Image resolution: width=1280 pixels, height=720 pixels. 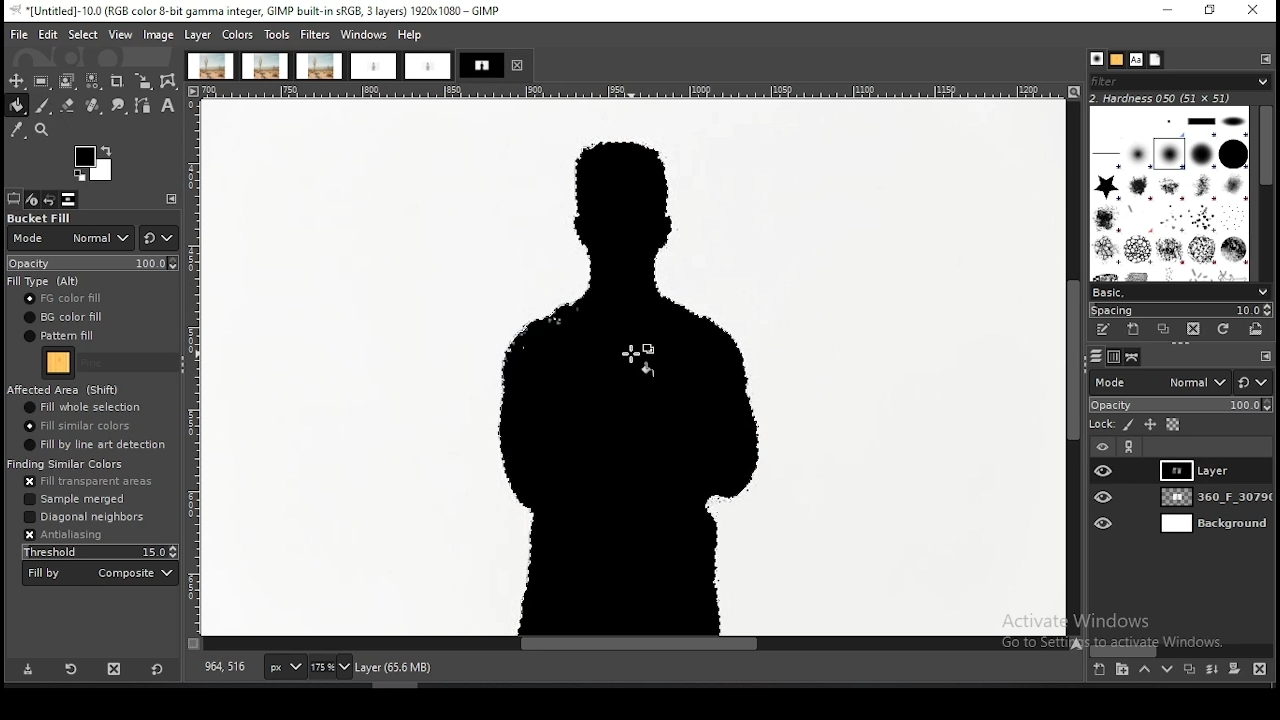 What do you see at coordinates (62, 316) in the screenshot?
I see `BG color fill` at bounding box center [62, 316].